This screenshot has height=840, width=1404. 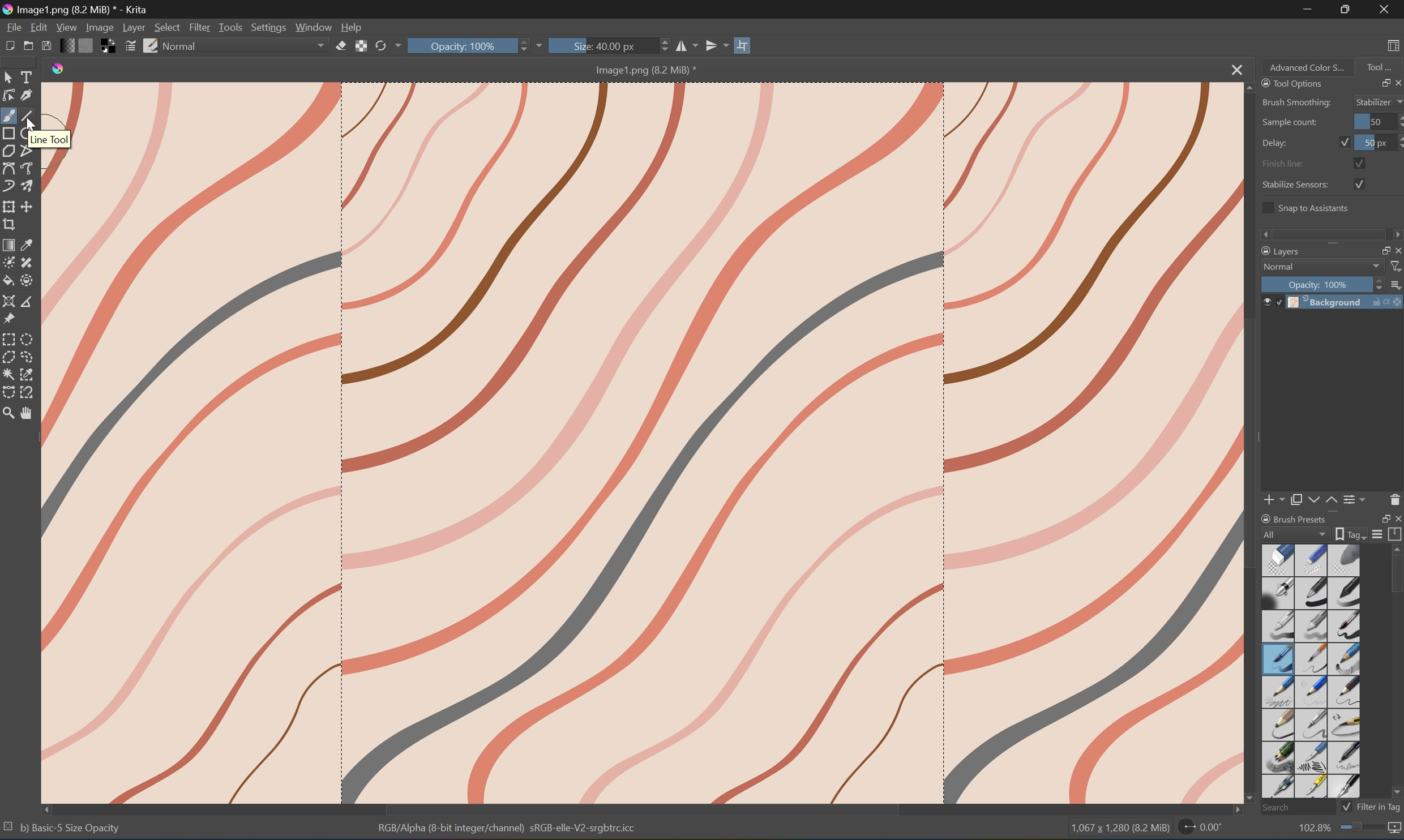 I want to click on Measure the distance between two points, so click(x=27, y=302).